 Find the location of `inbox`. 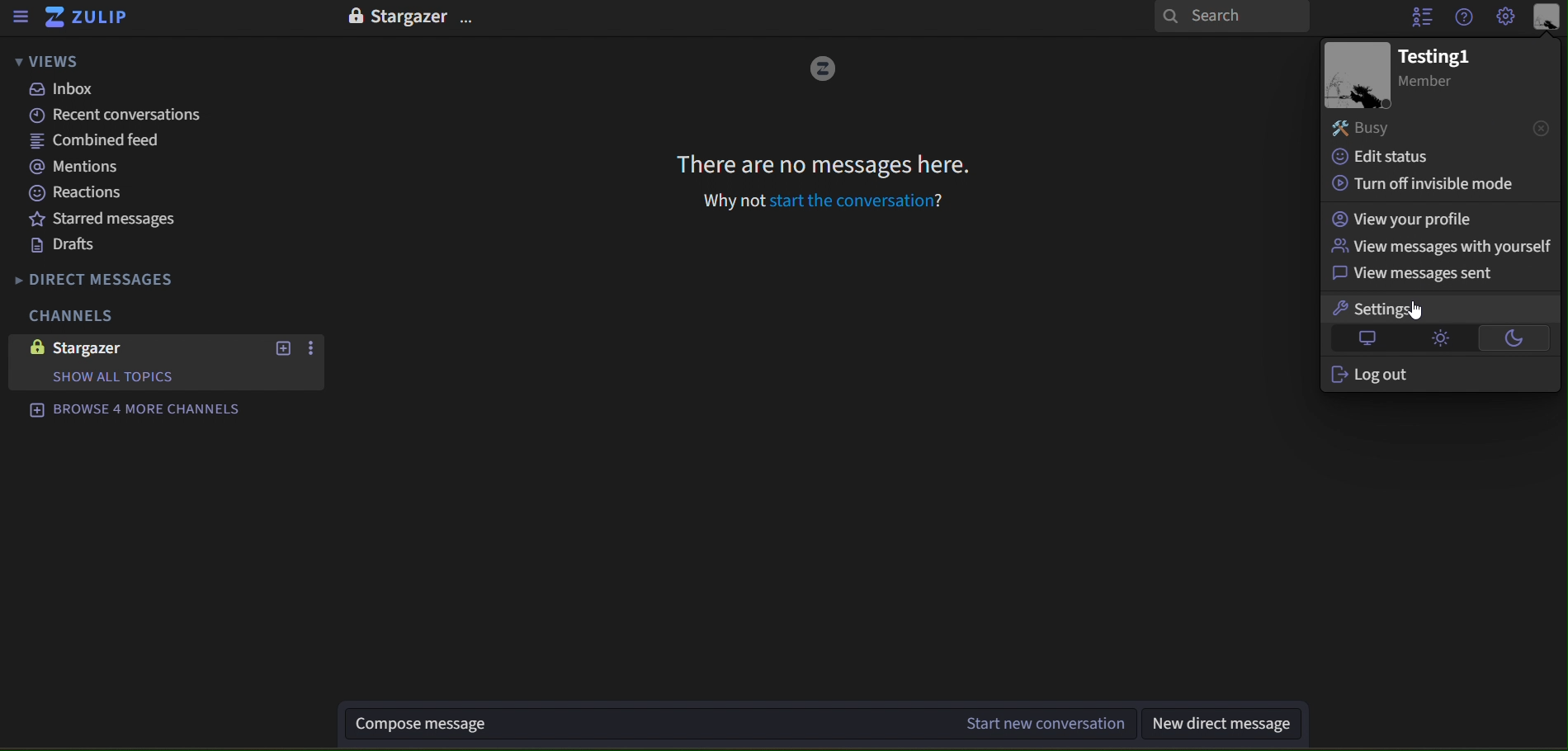

inbox is located at coordinates (67, 89).